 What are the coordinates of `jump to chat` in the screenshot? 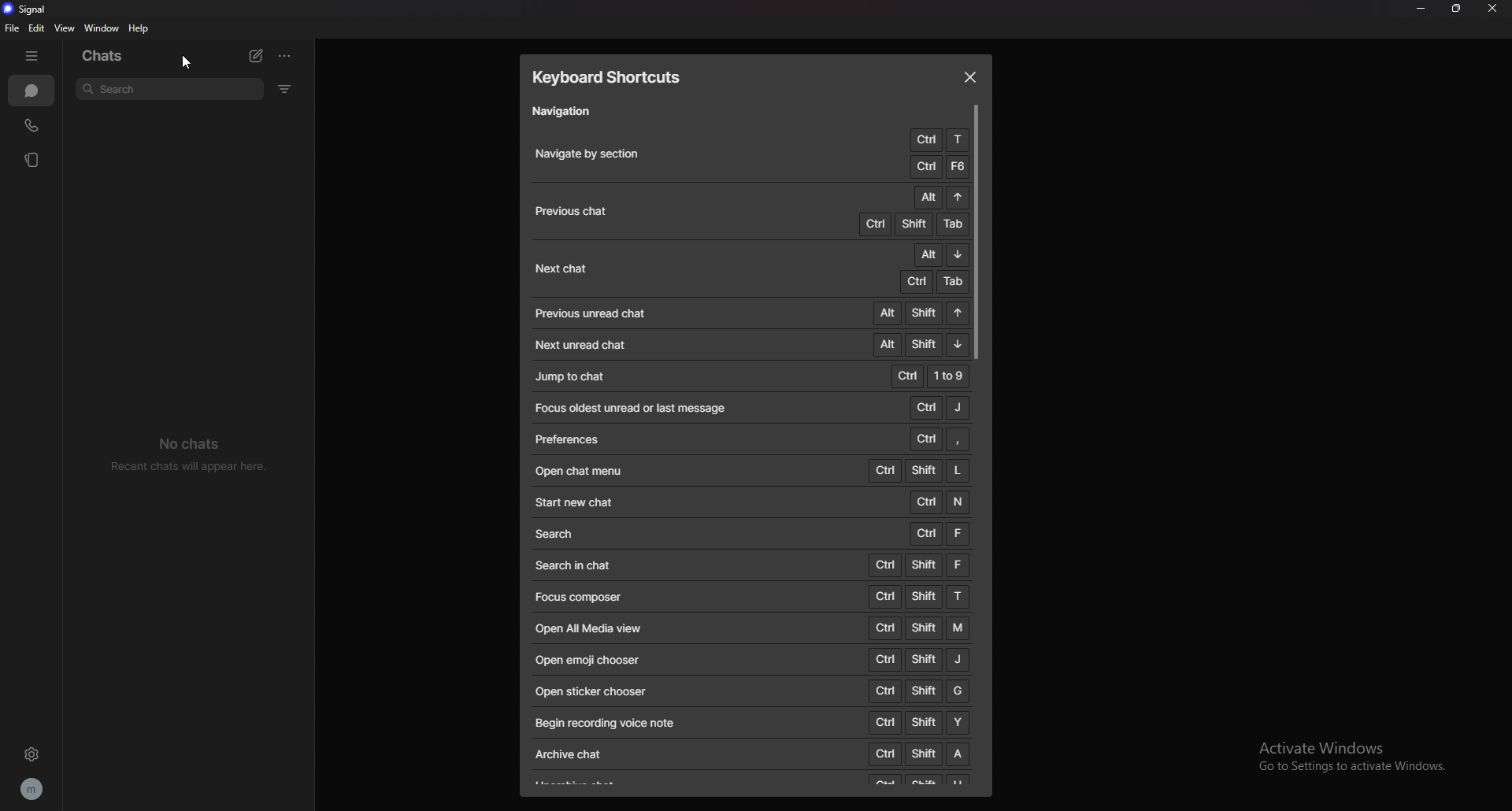 It's located at (573, 376).